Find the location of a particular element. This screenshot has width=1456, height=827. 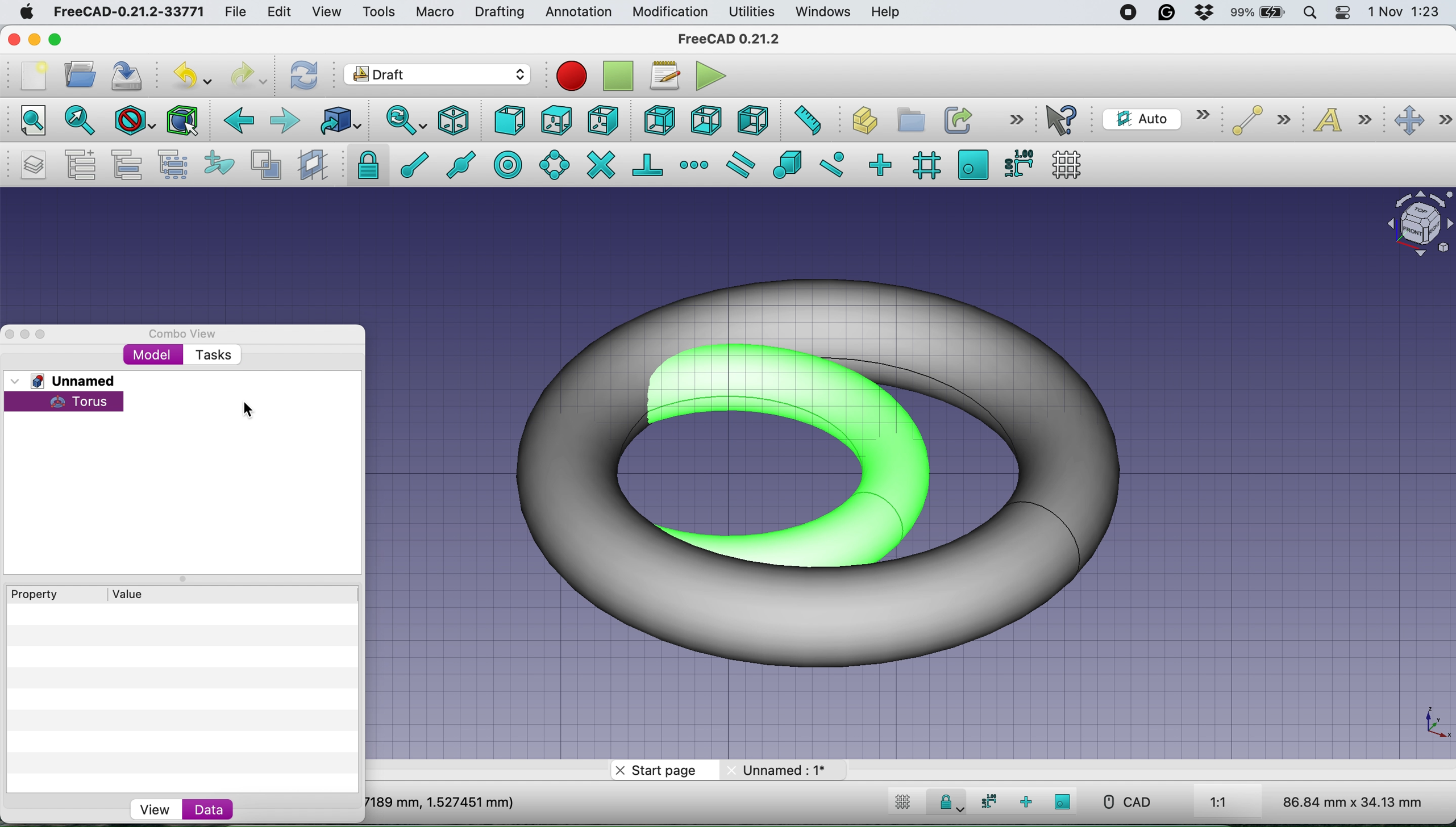

snap midpoint is located at coordinates (464, 164).